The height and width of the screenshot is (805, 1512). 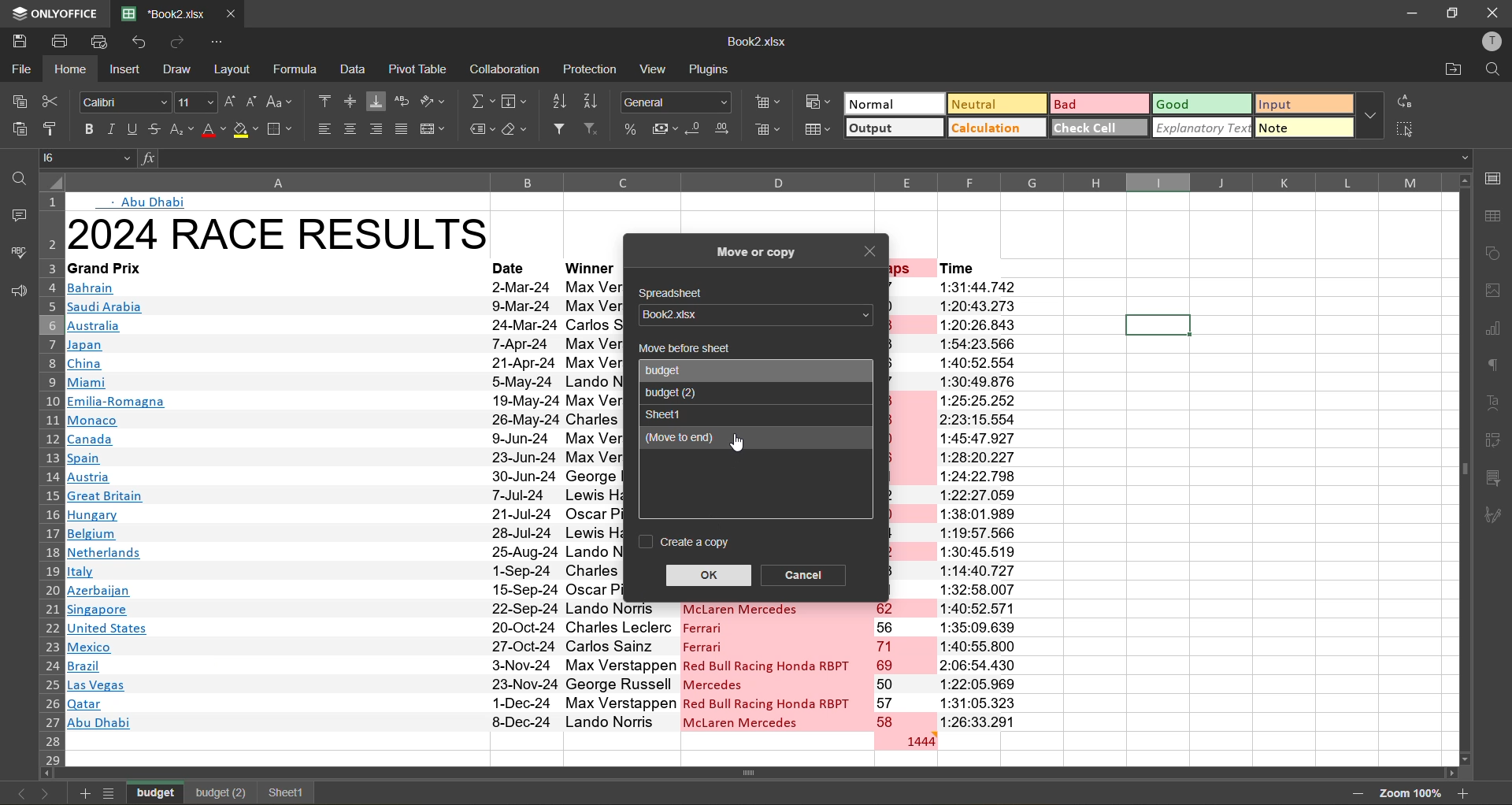 I want to click on time, so click(x=977, y=267).